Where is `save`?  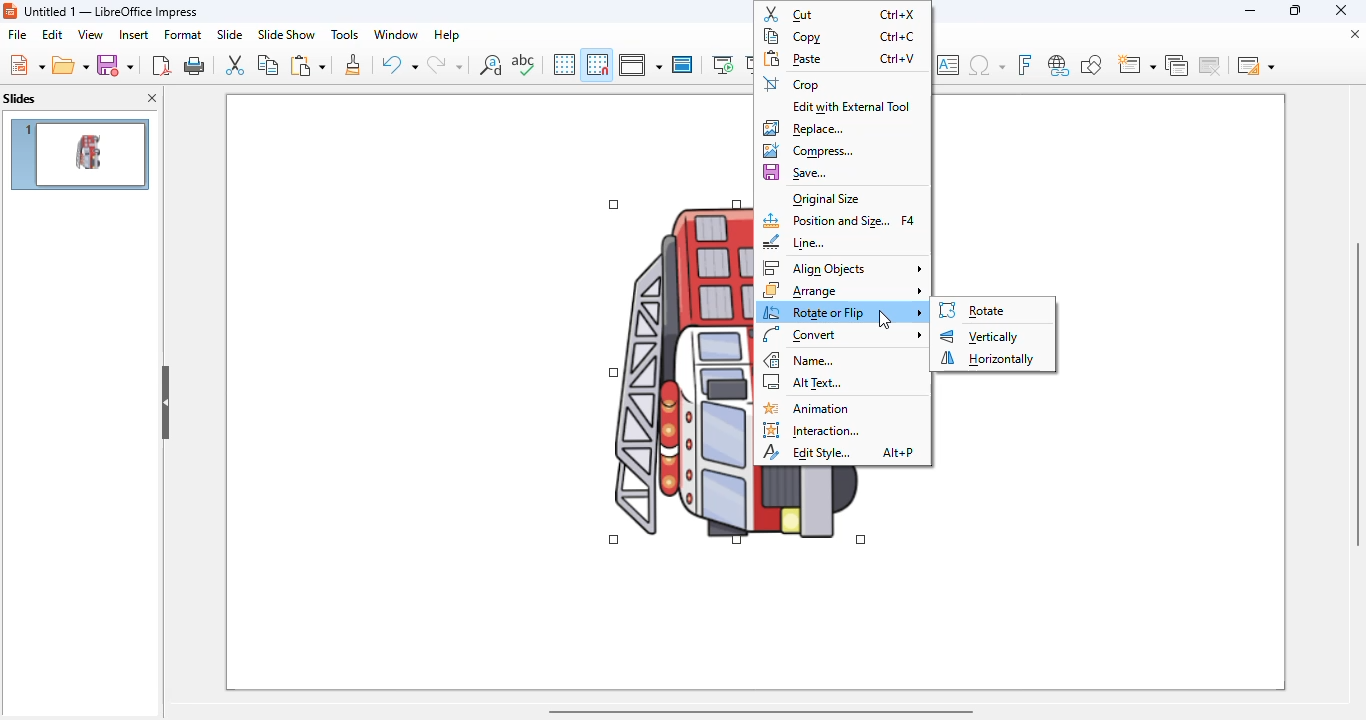
save is located at coordinates (797, 172).